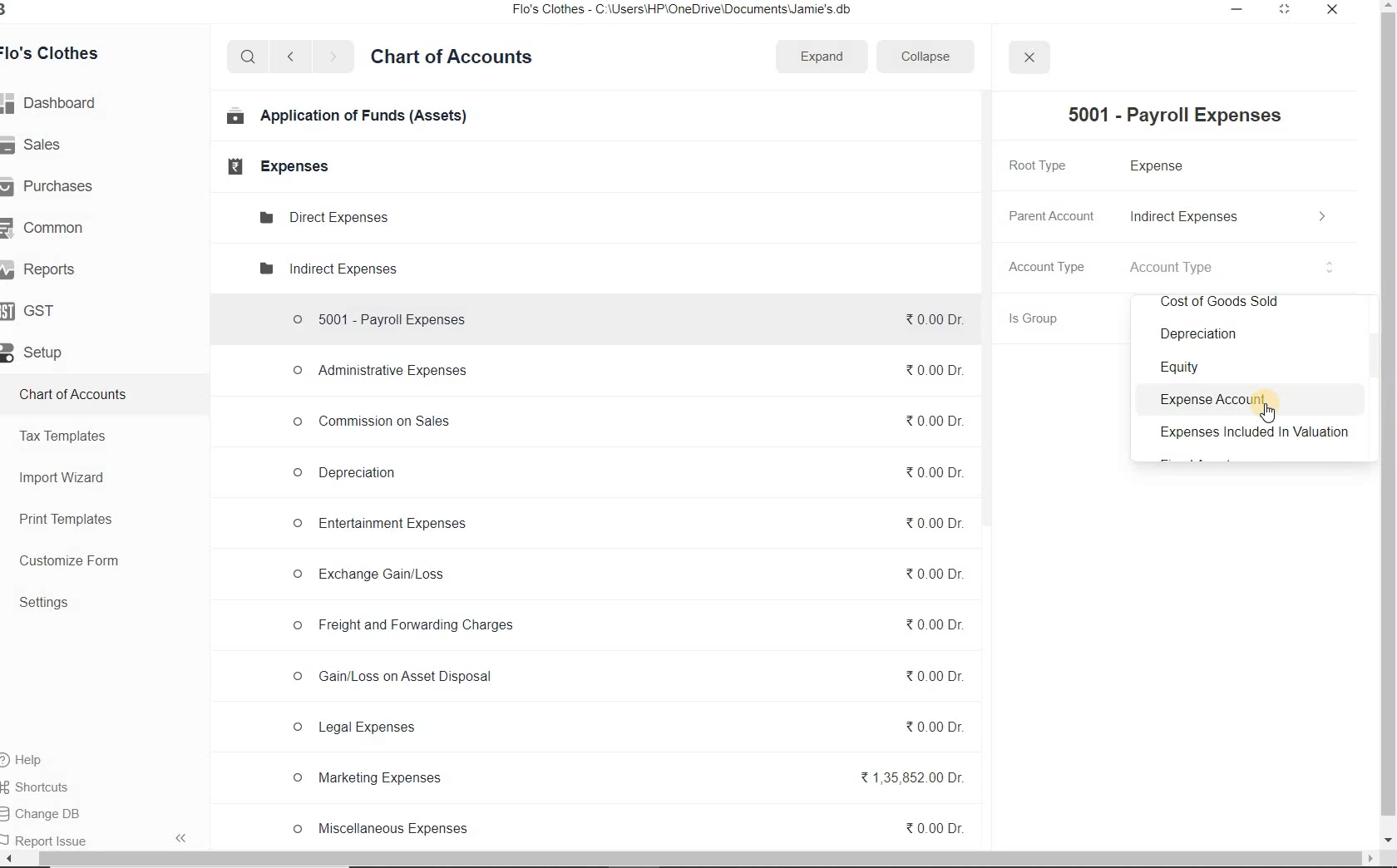  What do you see at coordinates (1212, 401) in the screenshot?
I see `Expense Account` at bounding box center [1212, 401].